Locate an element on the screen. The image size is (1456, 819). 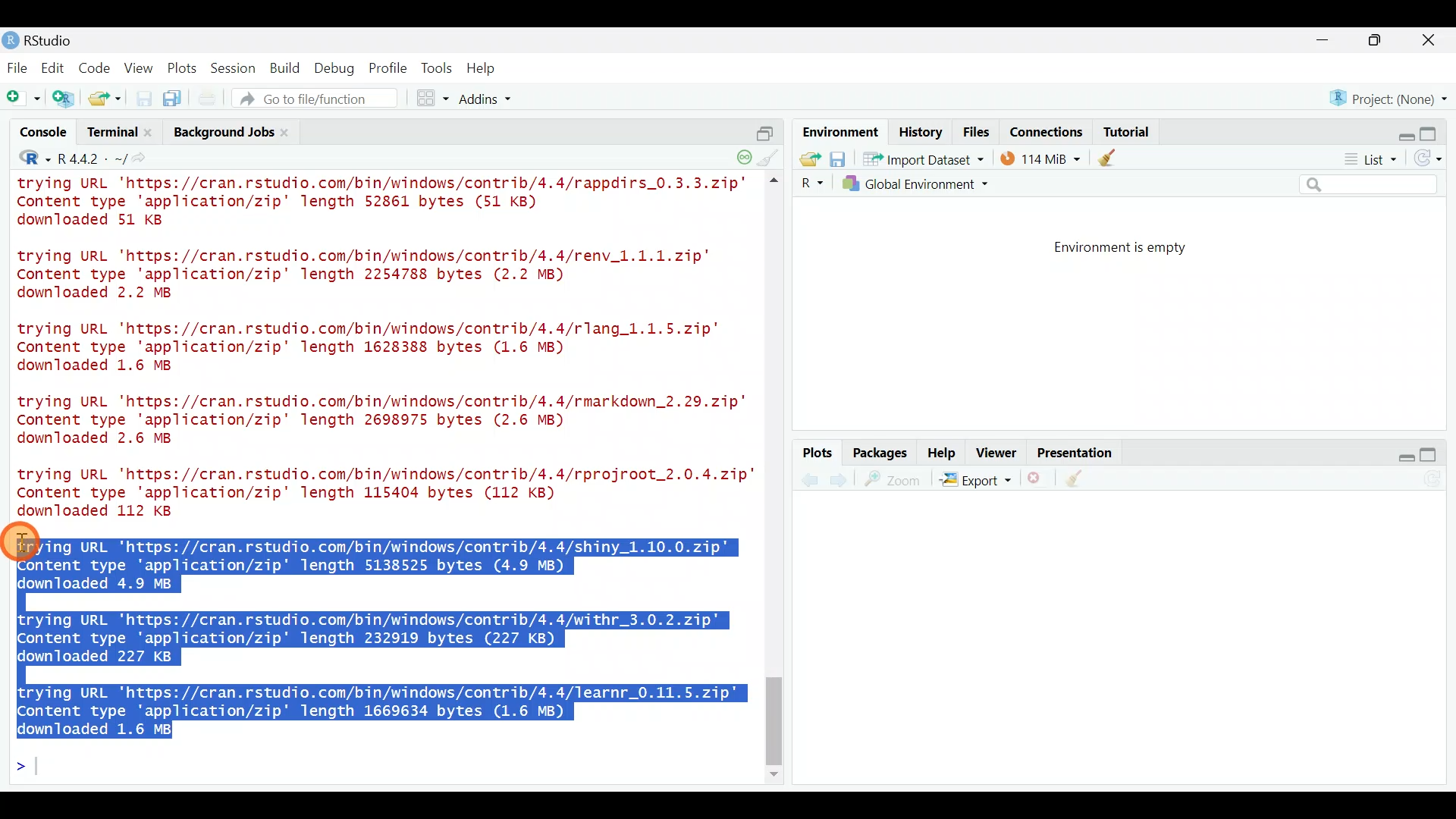
Print the current file is located at coordinates (209, 99).